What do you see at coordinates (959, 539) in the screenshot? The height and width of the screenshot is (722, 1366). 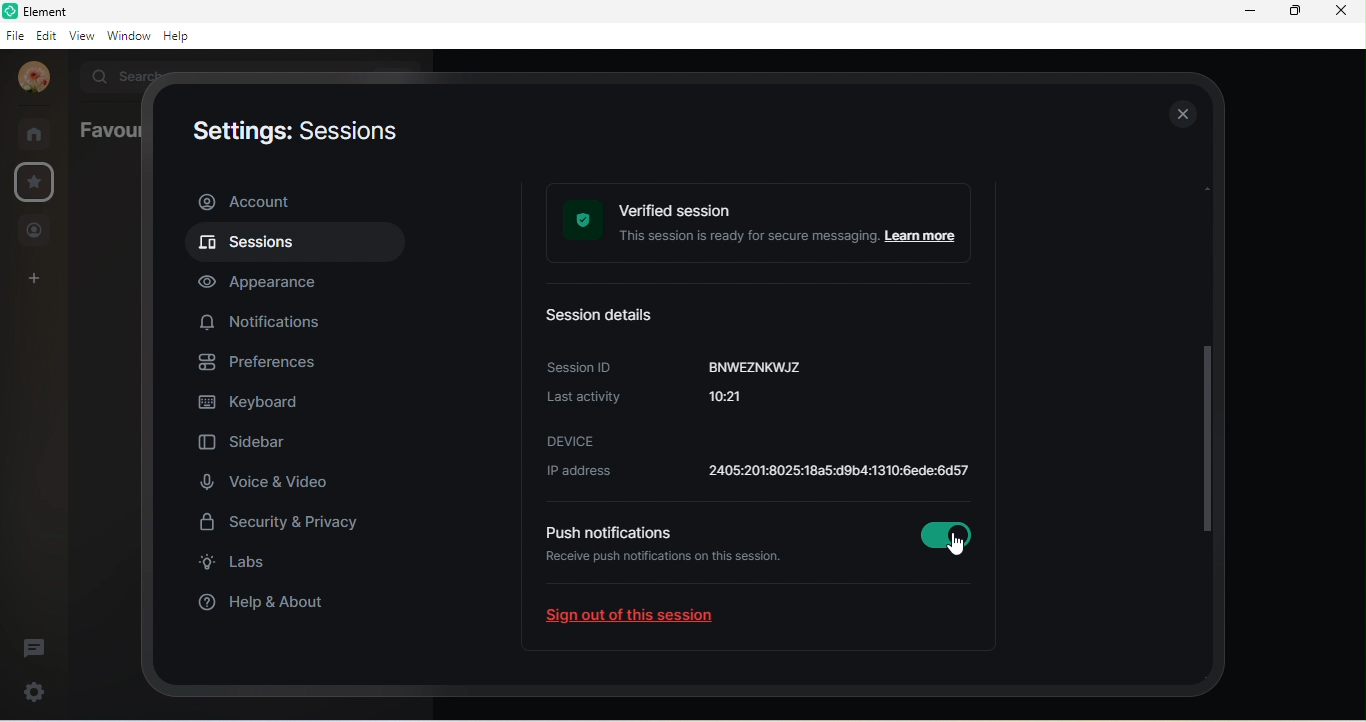 I see `cursor movement` at bounding box center [959, 539].